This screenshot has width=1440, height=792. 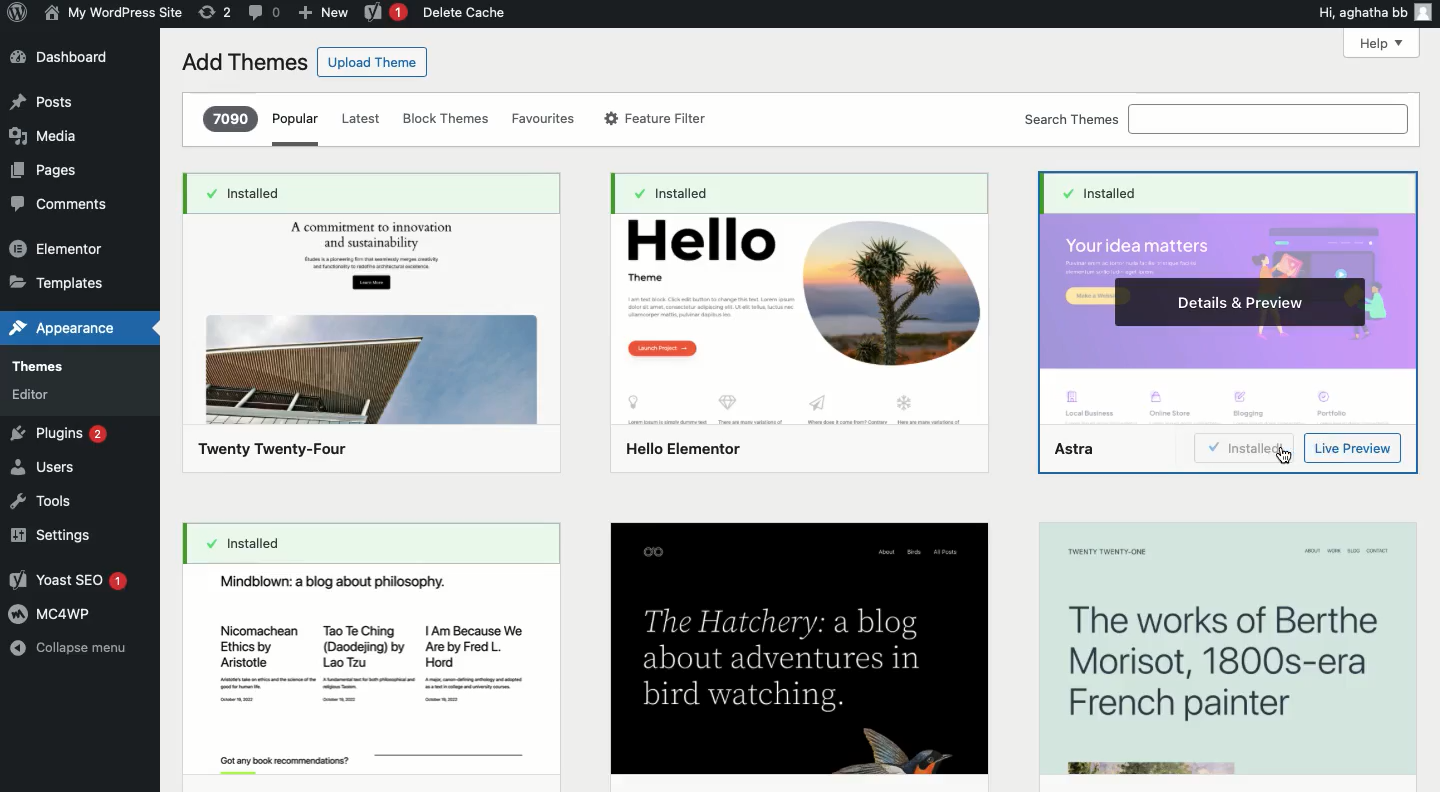 What do you see at coordinates (17, 14) in the screenshot?
I see `Annotate Logo` at bounding box center [17, 14].